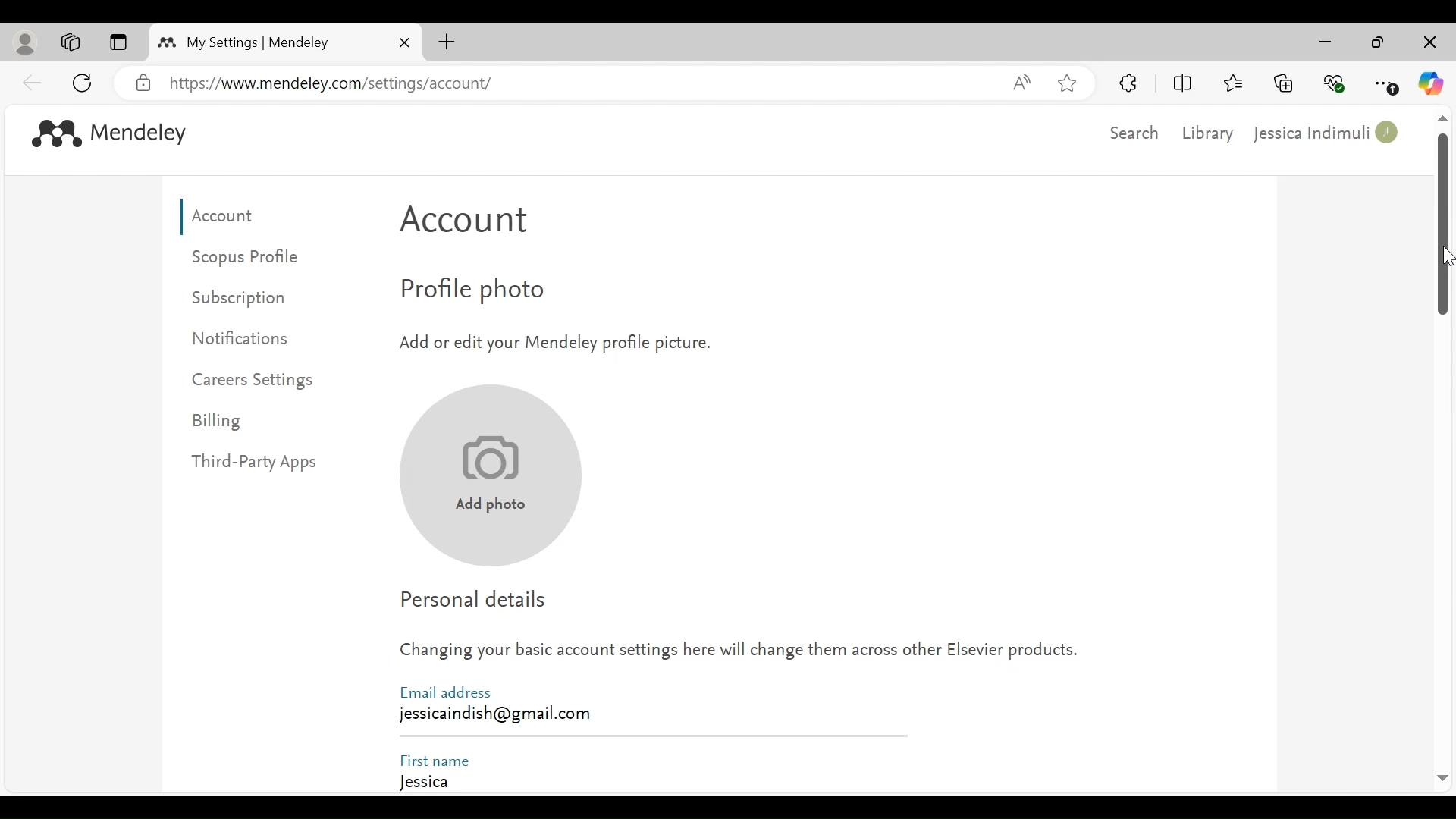 The height and width of the screenshot is (819, 1456). What do you see at coordinates (142, 135) in the screenshot?
I see `Mendeley` at bounding box center [142, 135].